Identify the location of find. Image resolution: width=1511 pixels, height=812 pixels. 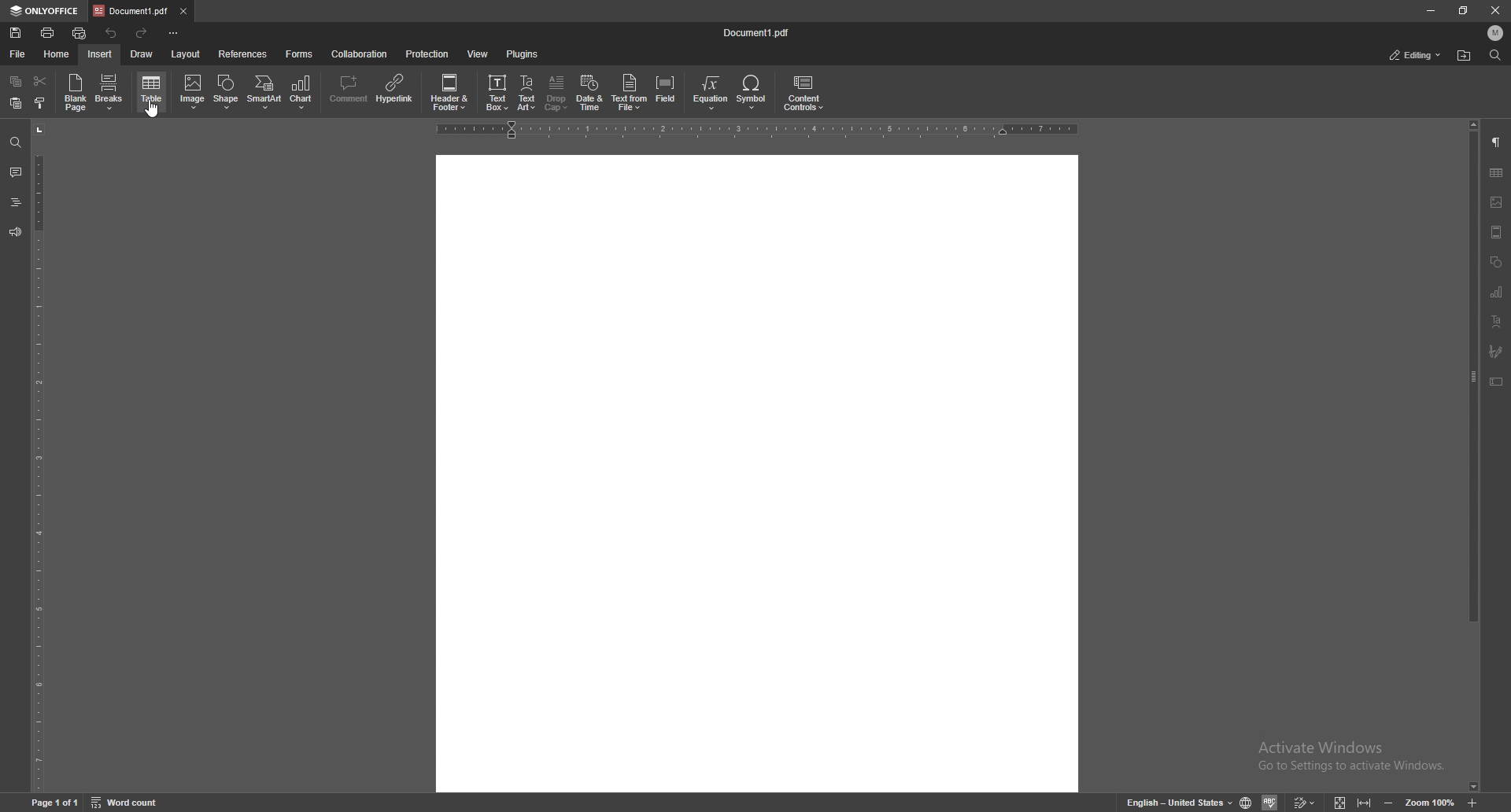
(15, 141).